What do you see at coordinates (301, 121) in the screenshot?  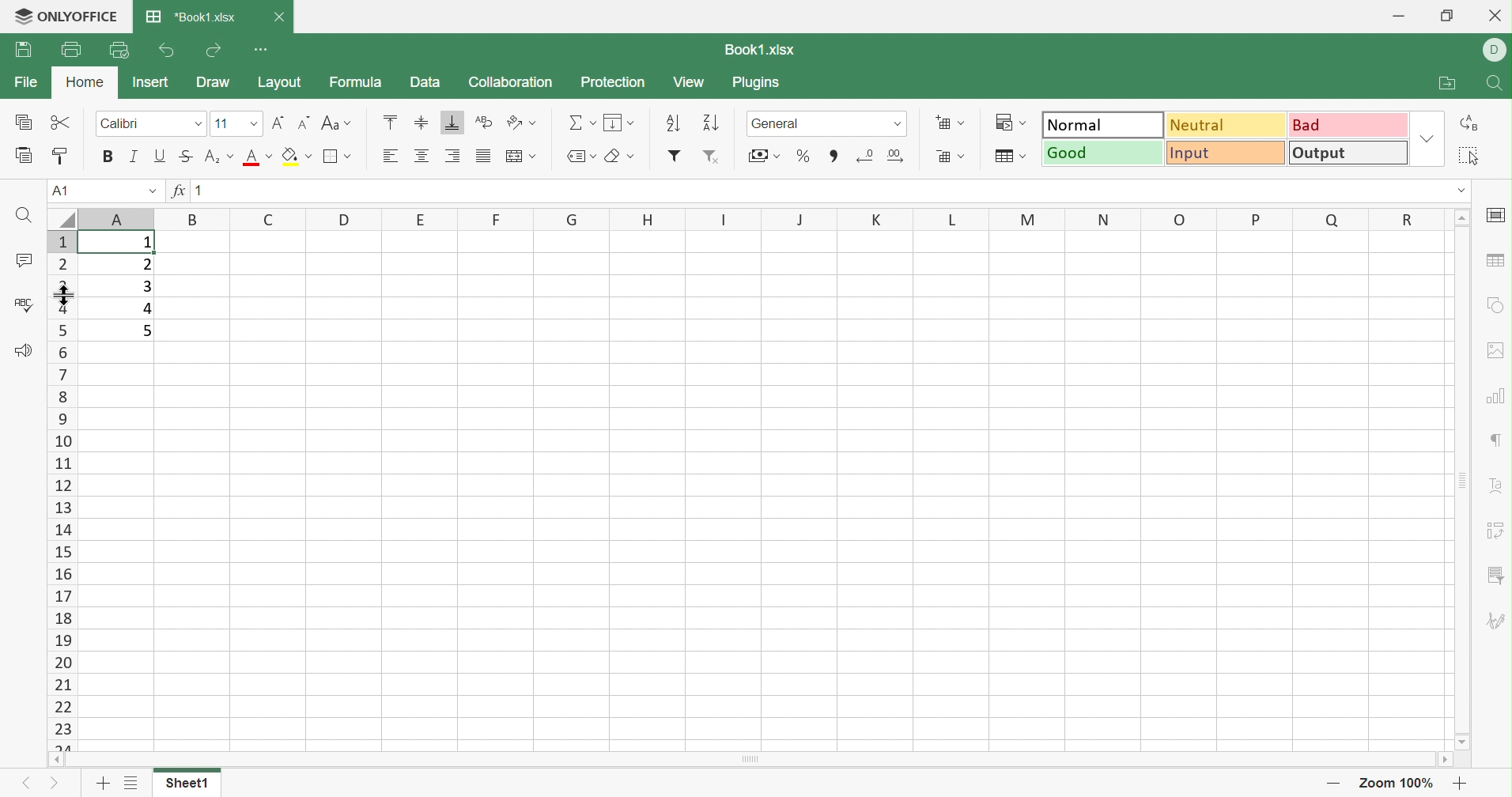 I see `Decrement in Font size` at bounding box center [301, 121].